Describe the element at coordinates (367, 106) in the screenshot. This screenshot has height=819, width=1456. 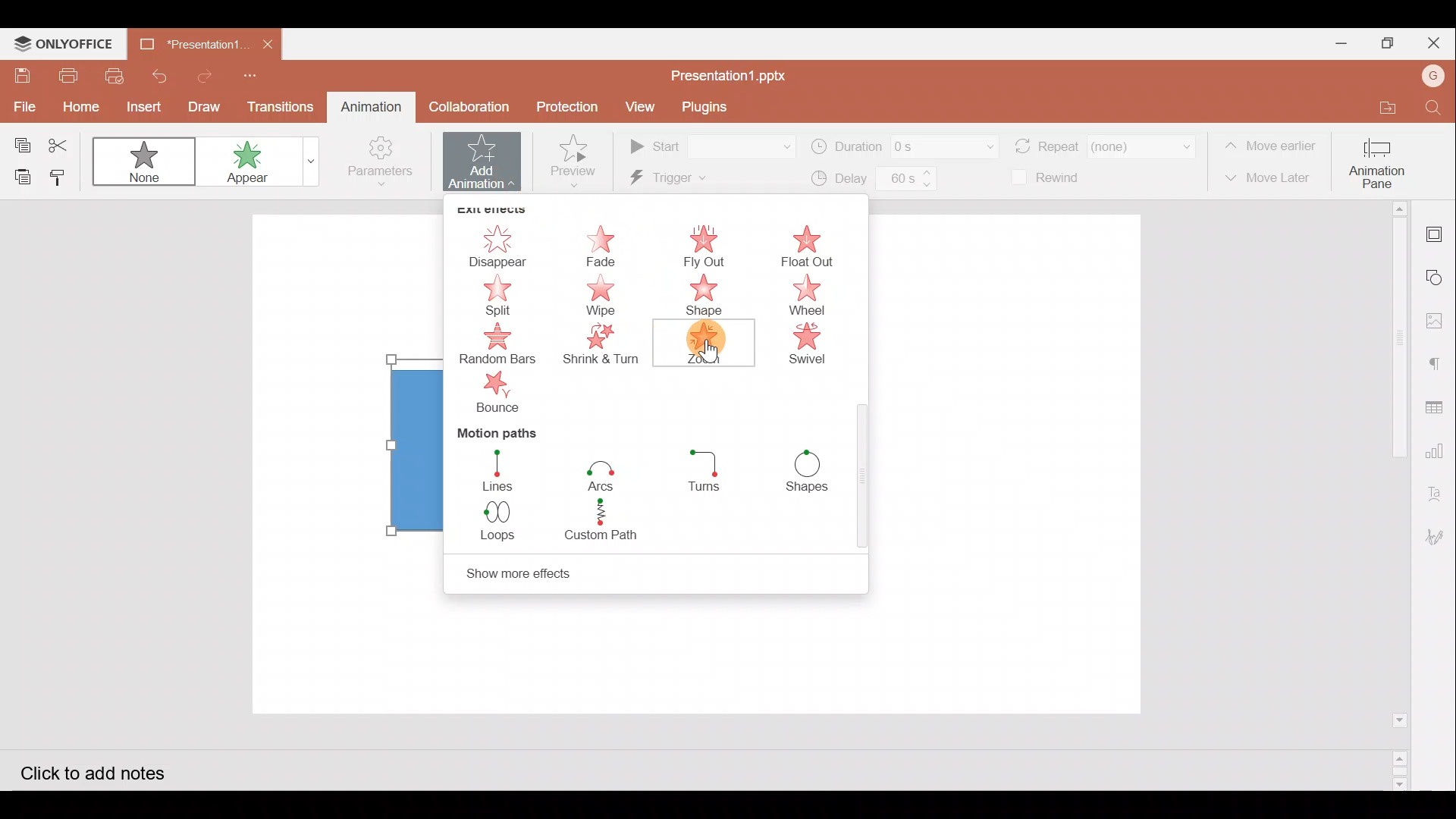
I see `Animation` at that location.